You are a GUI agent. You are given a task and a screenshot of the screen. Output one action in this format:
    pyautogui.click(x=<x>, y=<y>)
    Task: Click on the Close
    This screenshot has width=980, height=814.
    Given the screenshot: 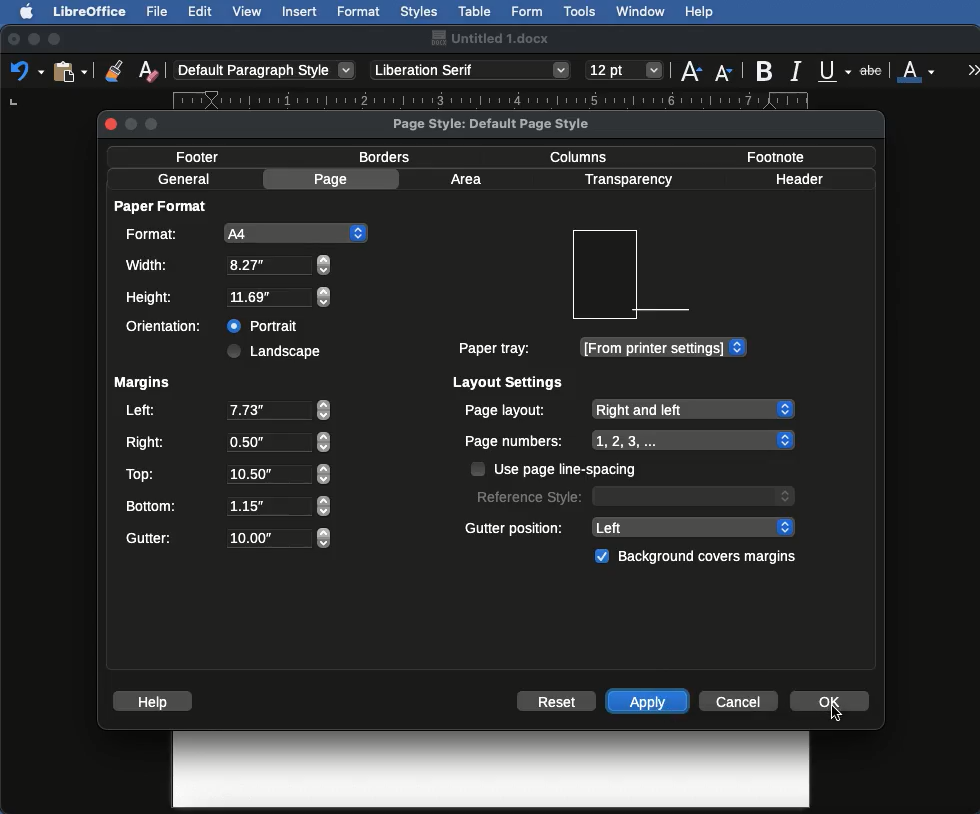 What is the action you would take?
    pyautogui.click(x=14, y=40)
    